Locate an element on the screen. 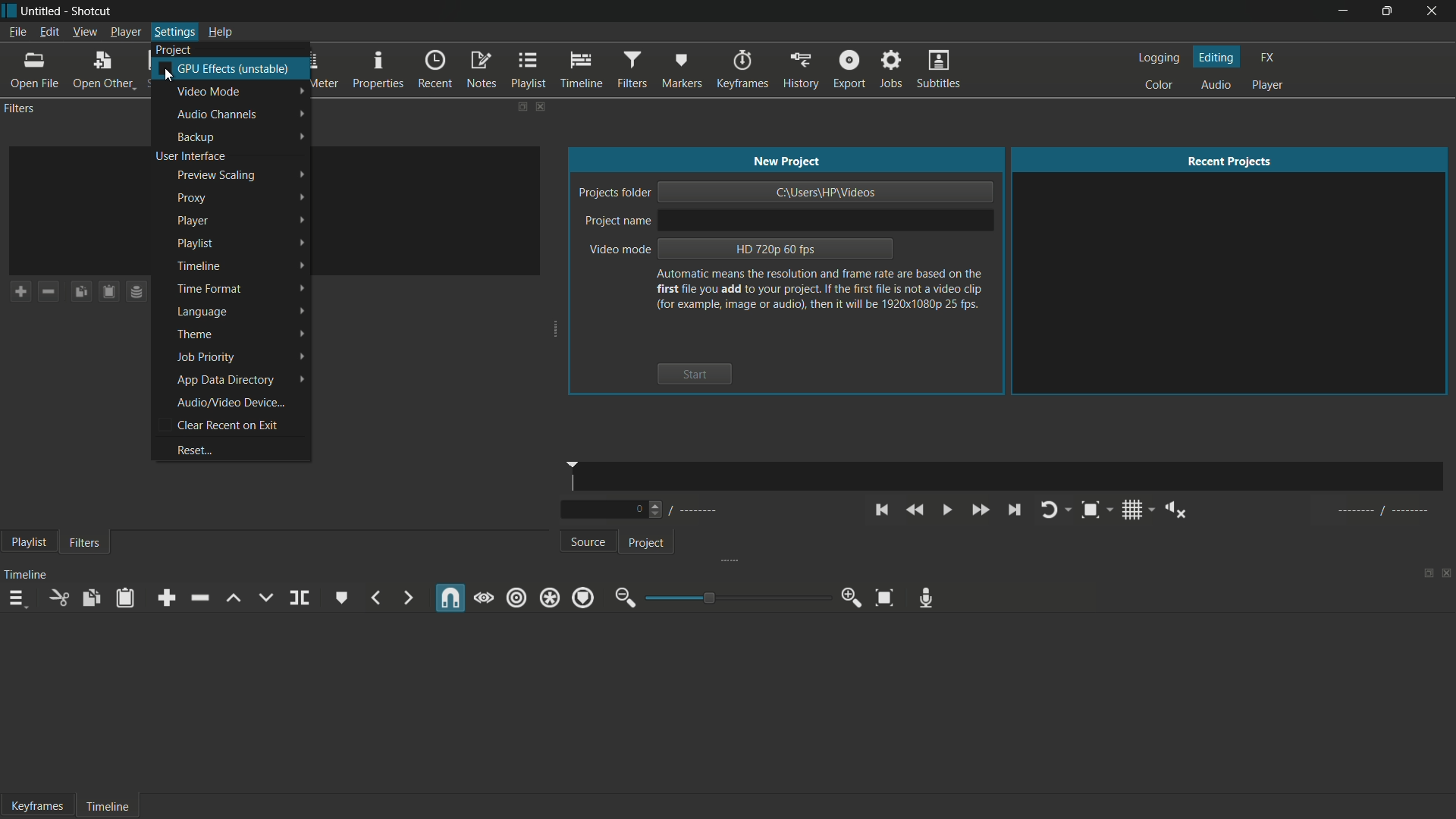 This screenshot has height=819, width=1456. zoom out is located at coordinates (623, 598).